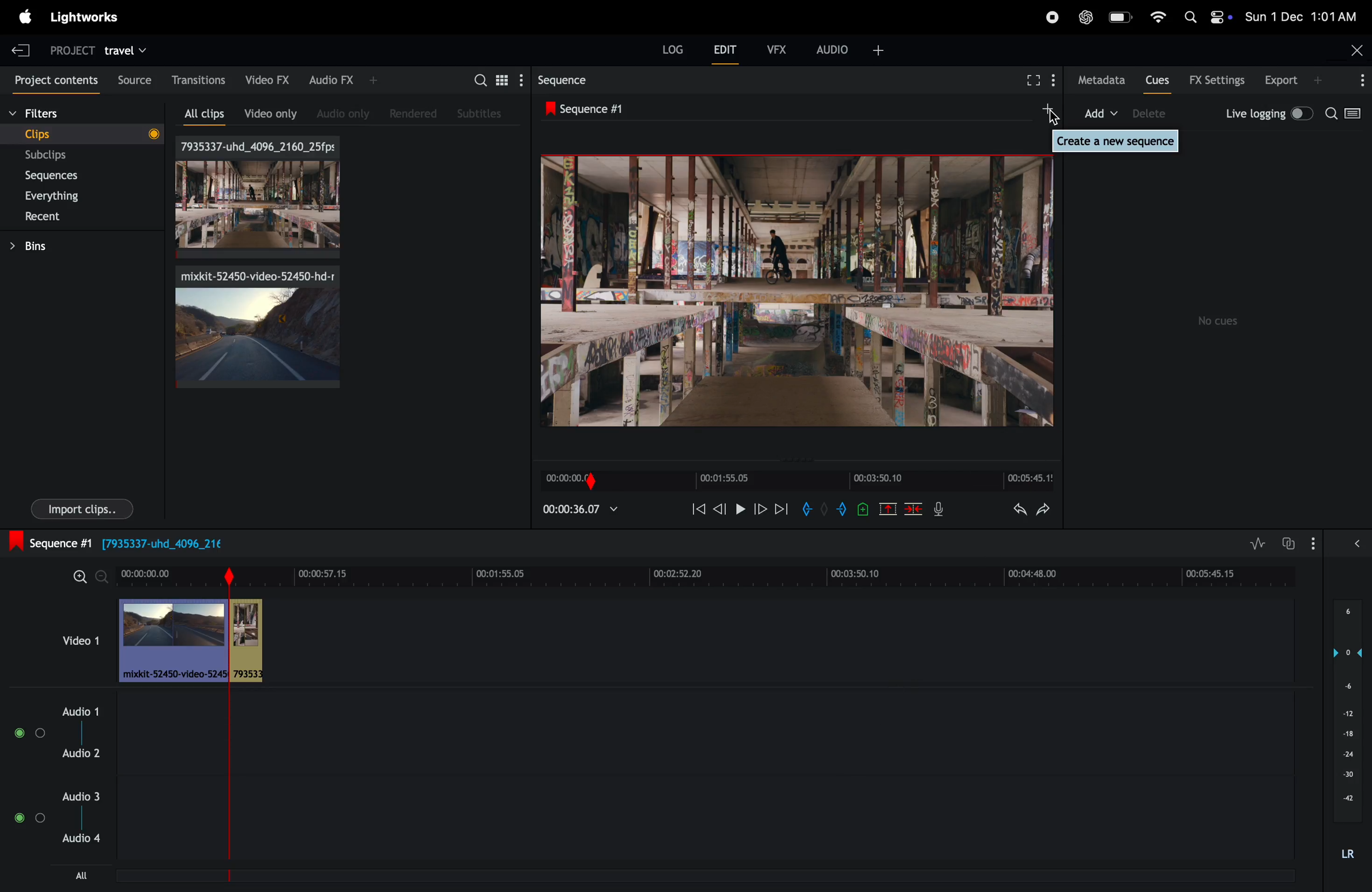 This screenshot has width=1372, height=892. What do you see at coordinates (1357, 48) in the screenshot?
I see `close` at bounding box center [1357, 48].